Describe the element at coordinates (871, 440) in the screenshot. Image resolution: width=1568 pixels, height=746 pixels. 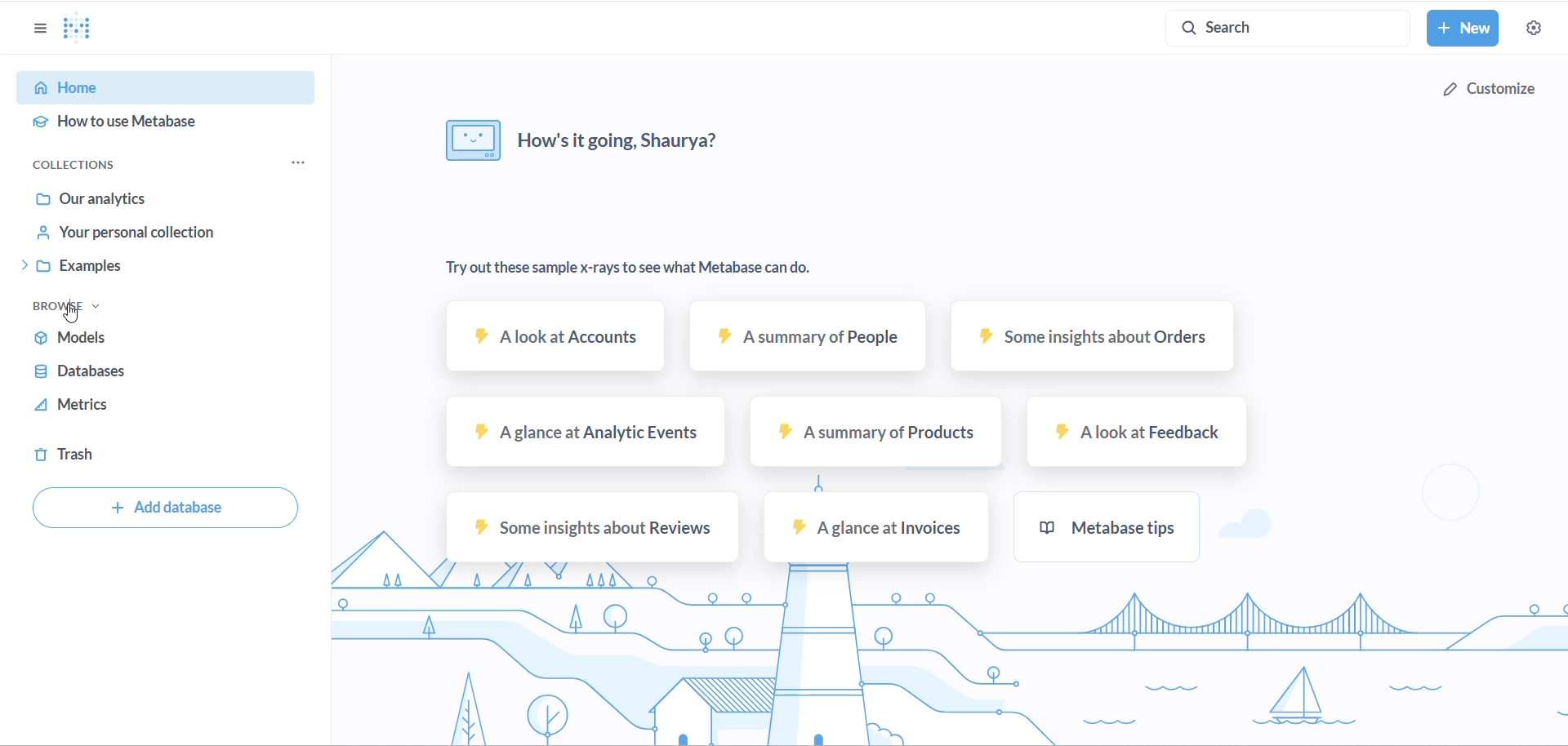
I see `A summary of products` at that location.